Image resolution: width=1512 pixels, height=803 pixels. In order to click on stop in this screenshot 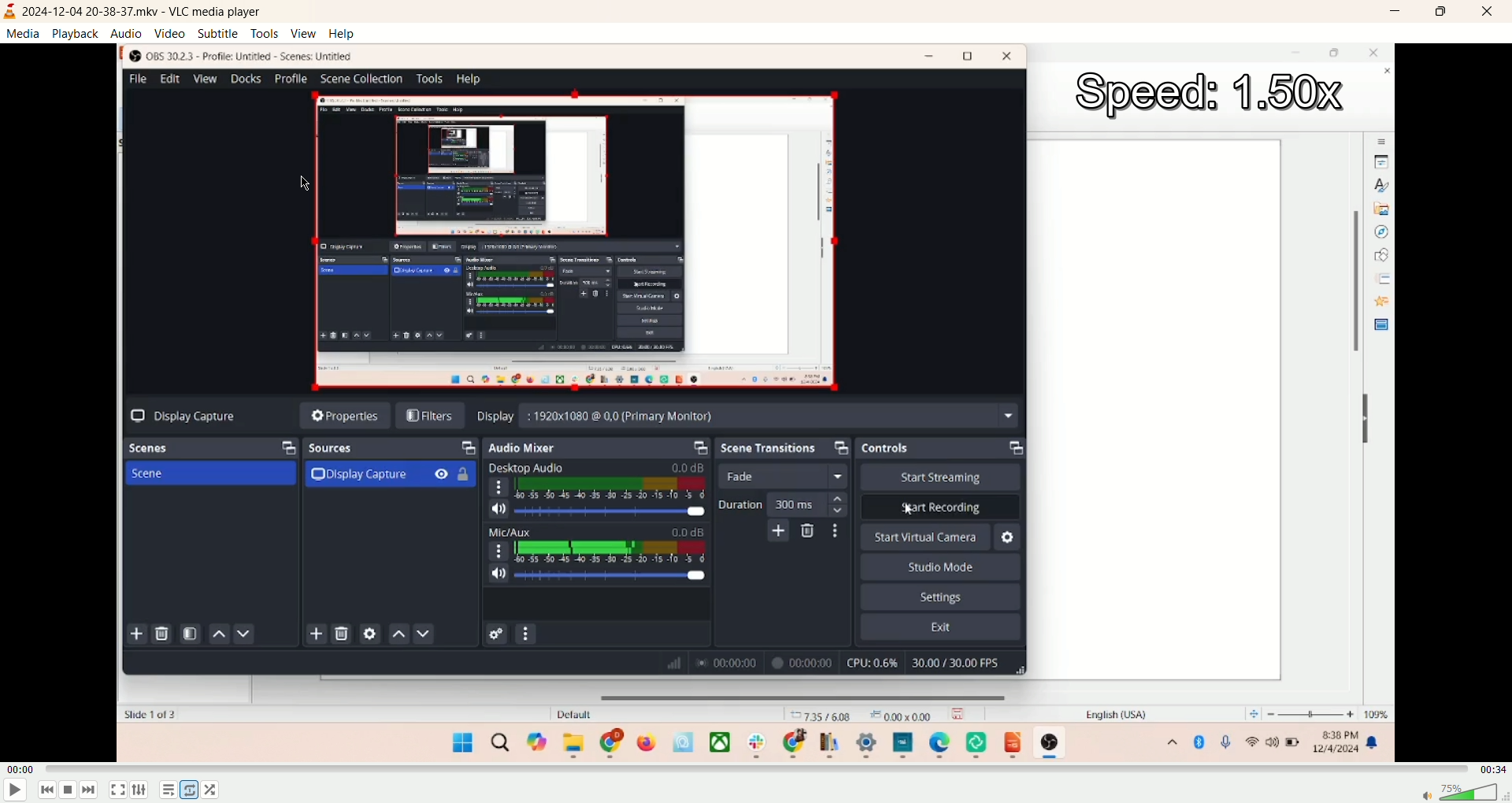, I will do `click(70, 790)`.